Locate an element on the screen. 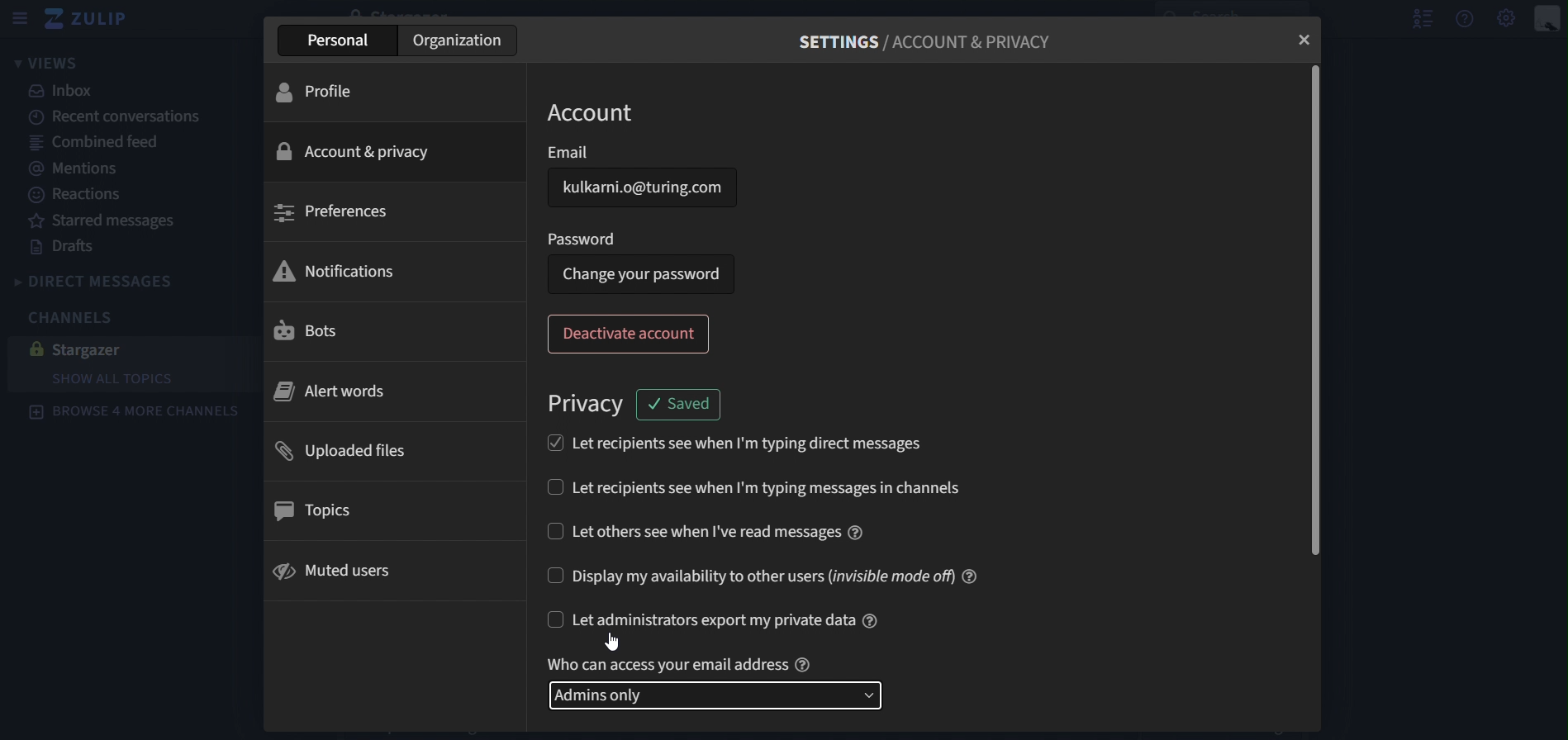  preferences is located at coordinates (336, 213).